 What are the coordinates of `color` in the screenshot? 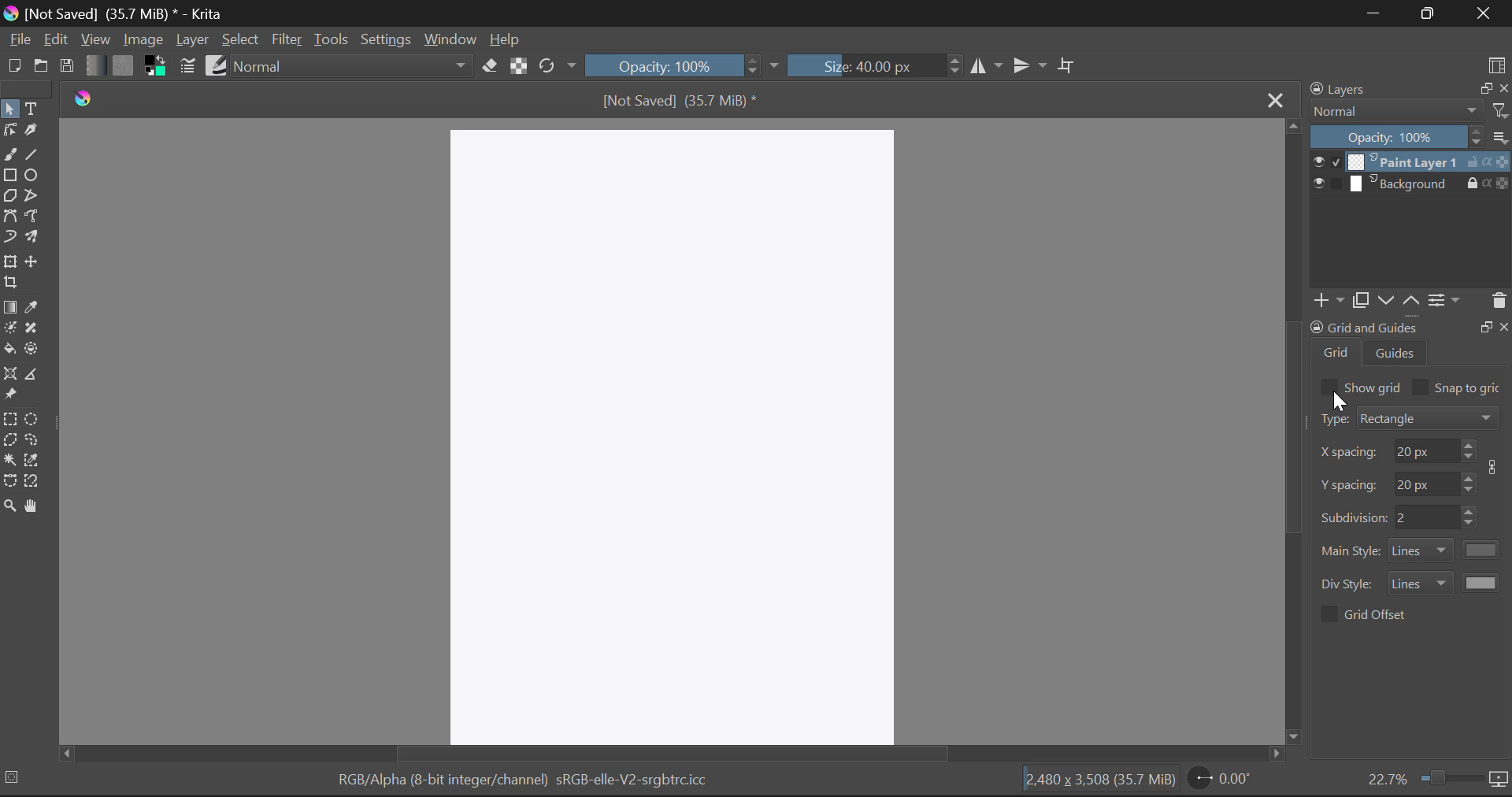 It's located at (1483, 582).